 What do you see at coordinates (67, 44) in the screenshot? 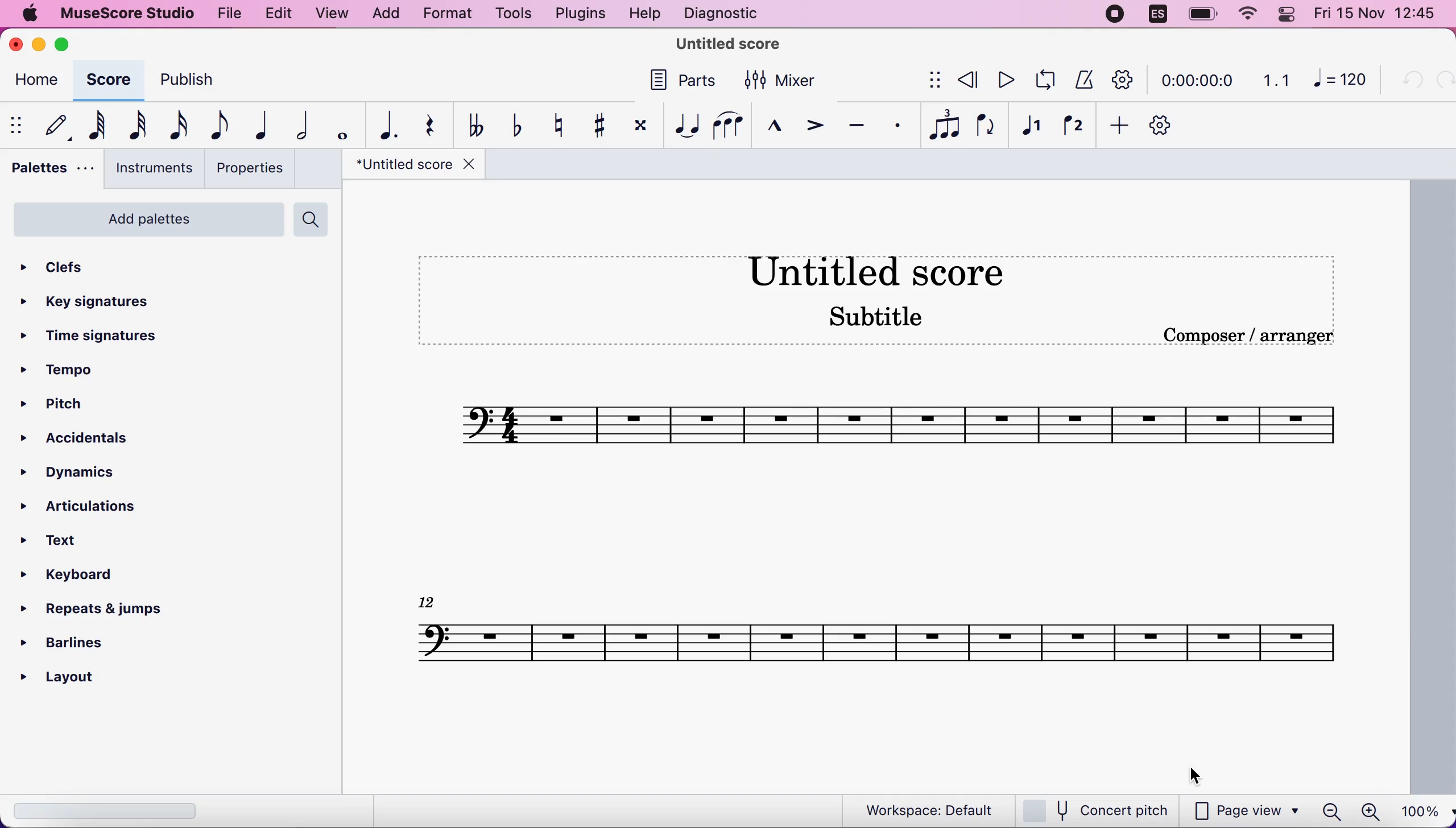
I see `maximize` at bounding box center [67, 44].